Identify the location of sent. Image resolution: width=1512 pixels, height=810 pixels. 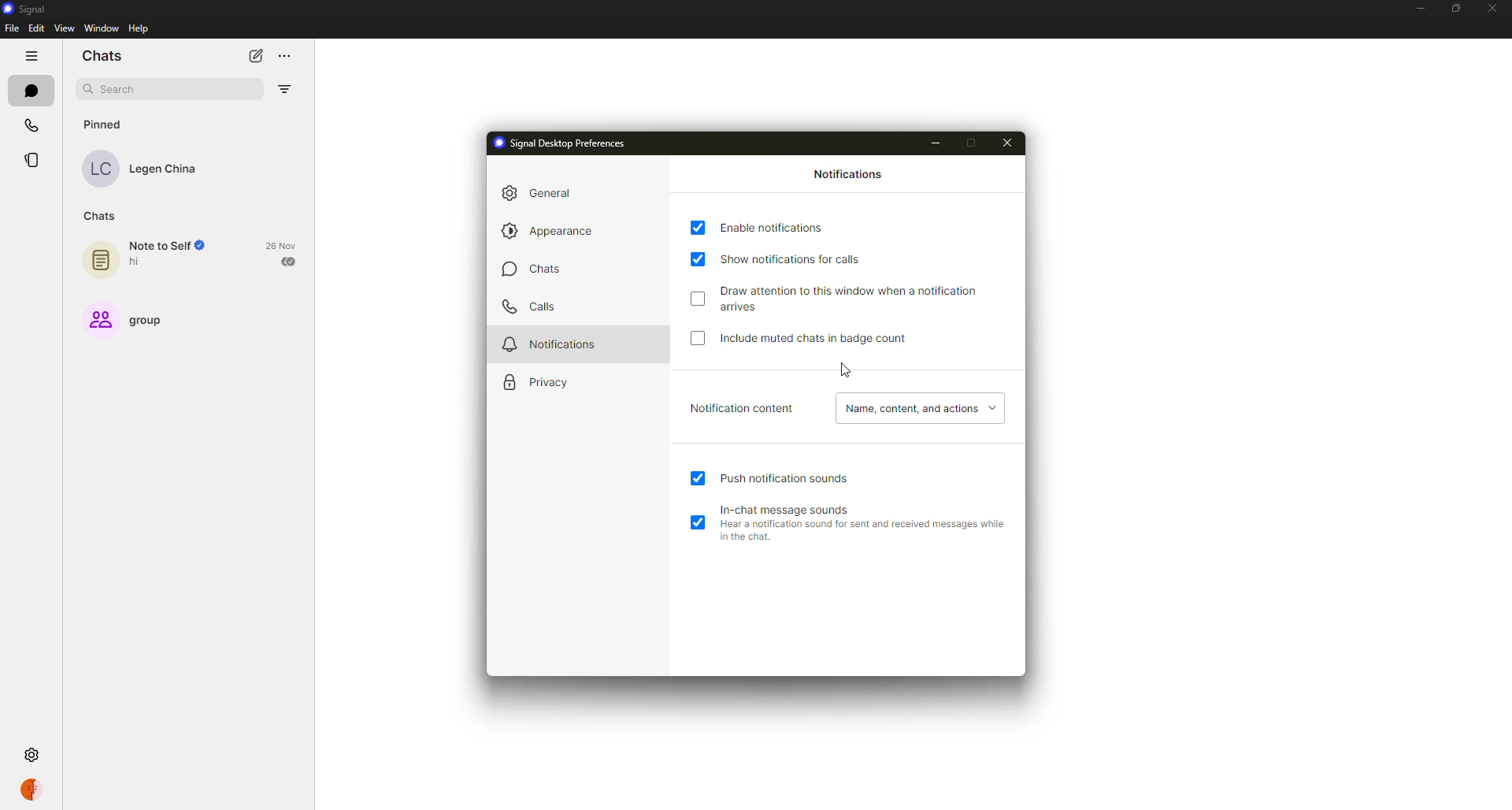
(290, 261).